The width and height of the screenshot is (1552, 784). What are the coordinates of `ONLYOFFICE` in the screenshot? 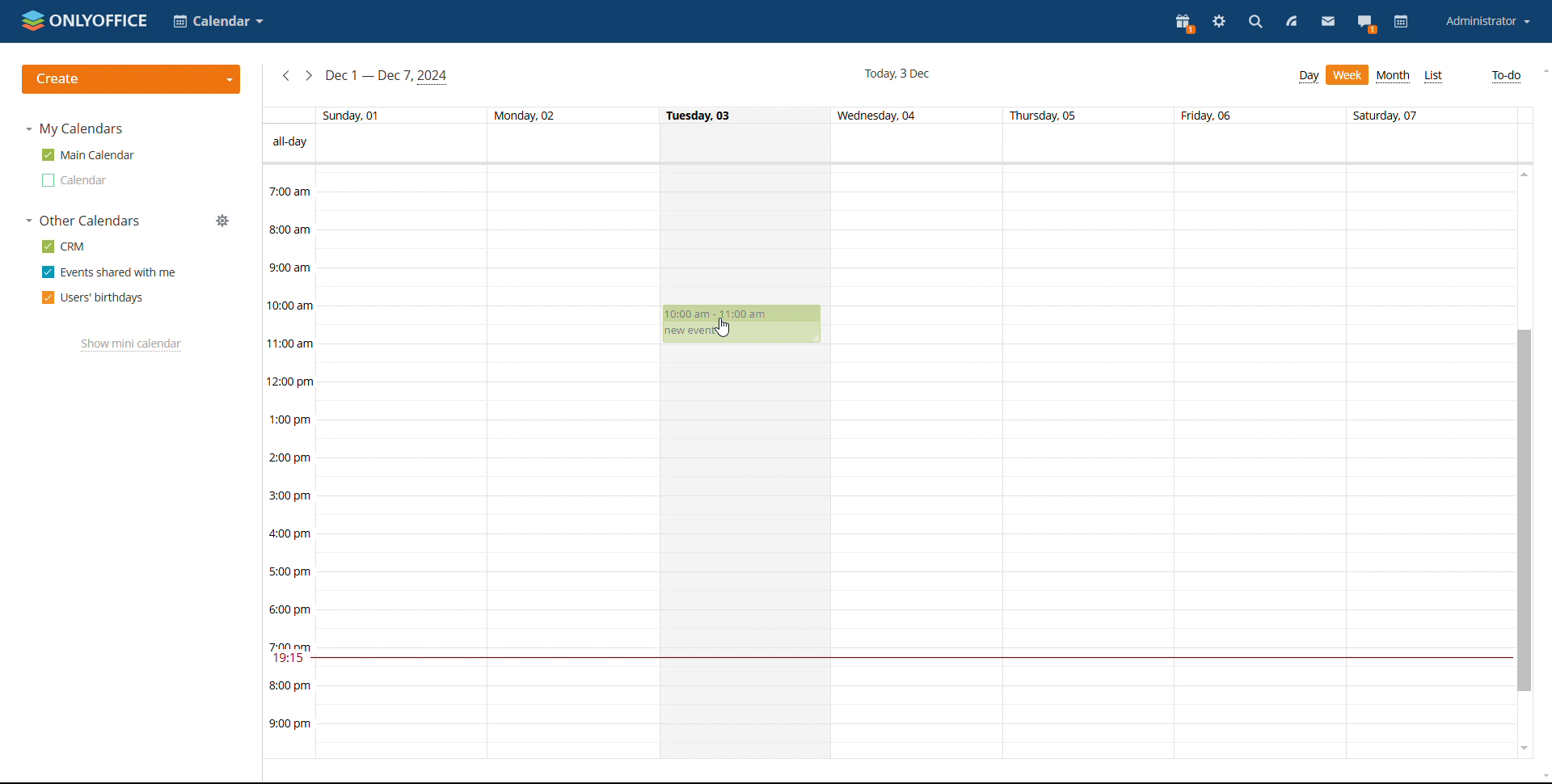 It's located at (83, 19).